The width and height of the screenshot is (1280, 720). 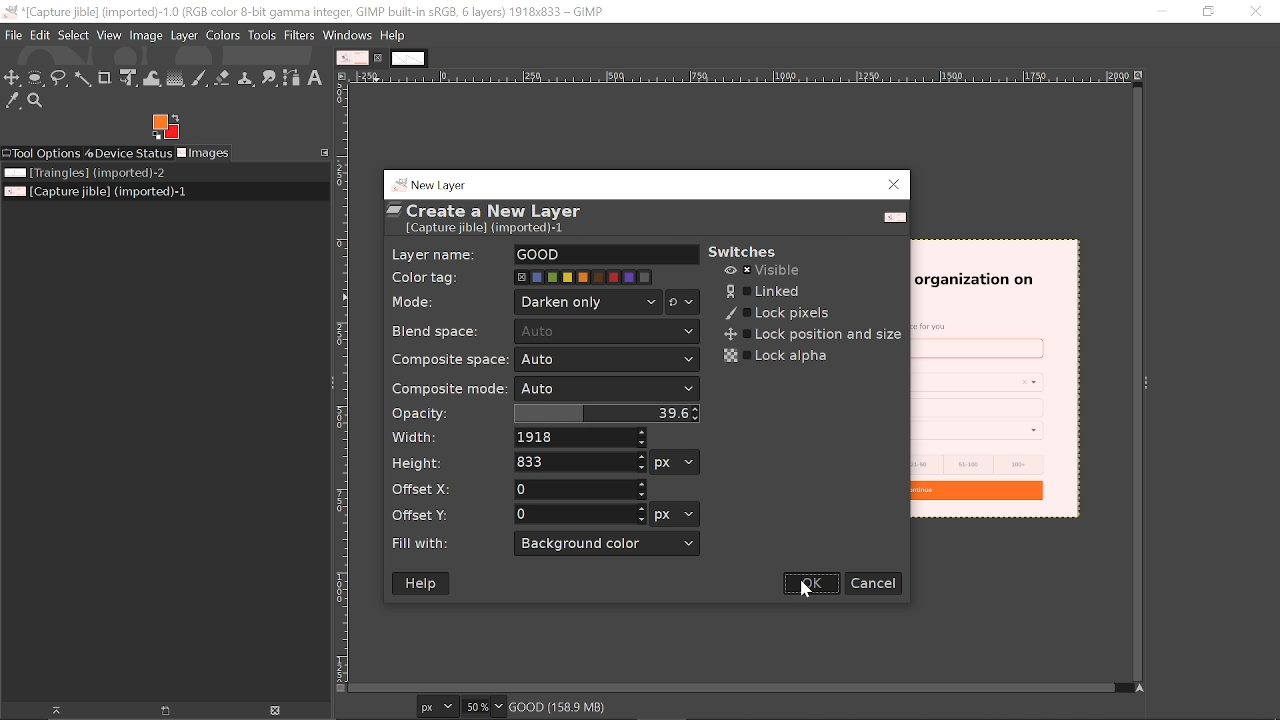 I want to click on other tab, so click(x=409, y=59).